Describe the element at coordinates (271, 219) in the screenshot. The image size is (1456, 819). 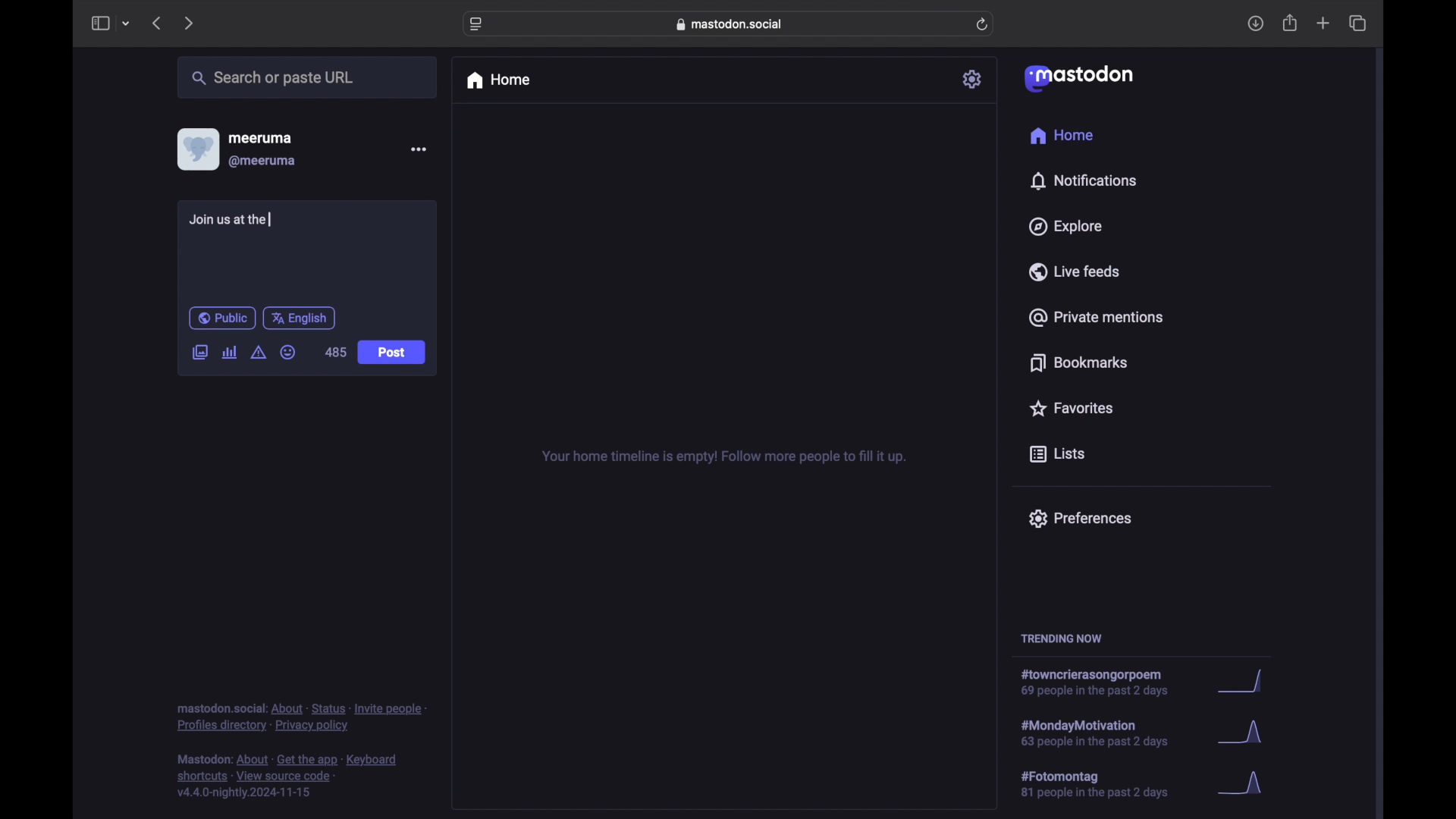
I see `text cursor` at that location.